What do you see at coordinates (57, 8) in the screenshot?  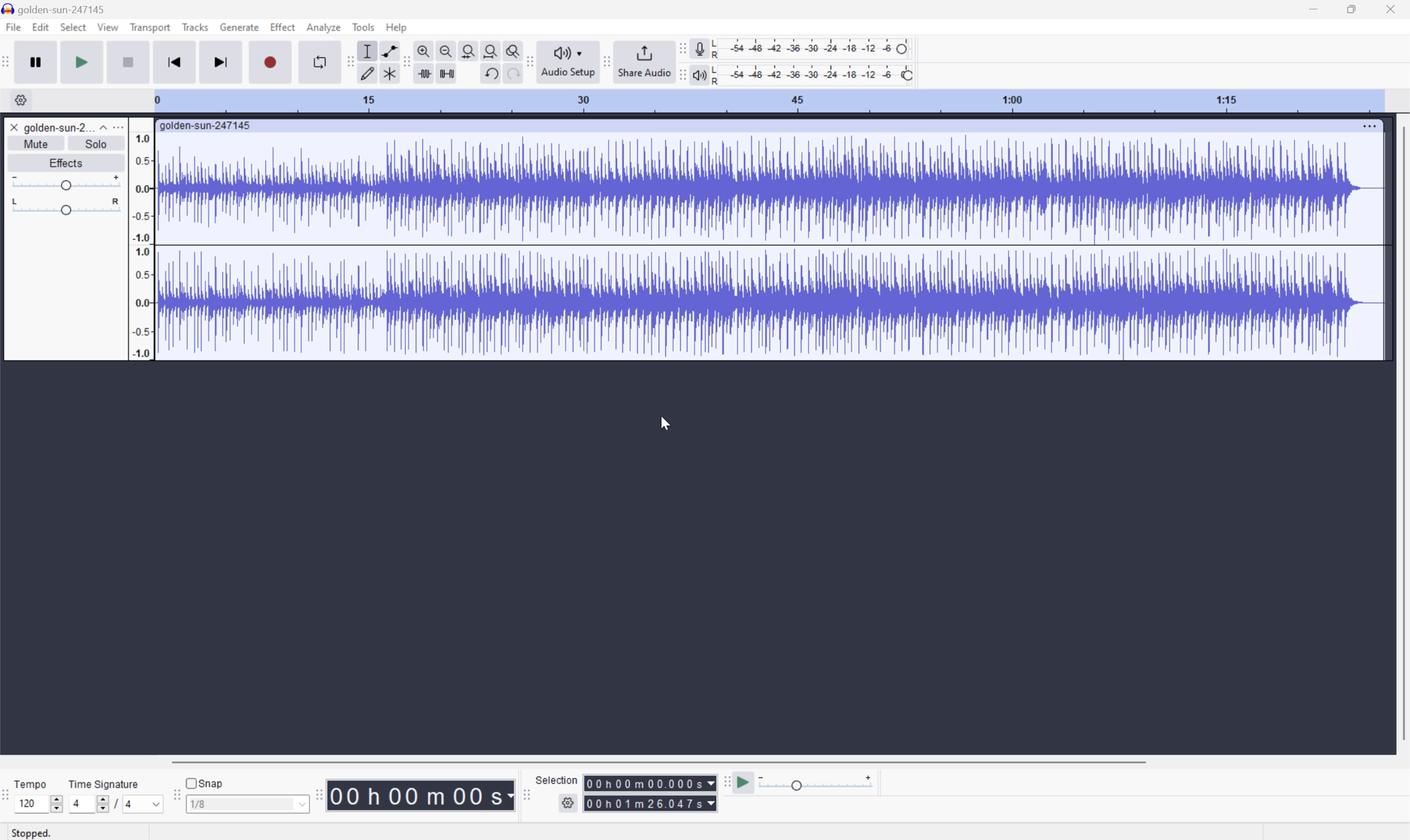 I see `golden-sun-247145` at bounding box center [57, 8].